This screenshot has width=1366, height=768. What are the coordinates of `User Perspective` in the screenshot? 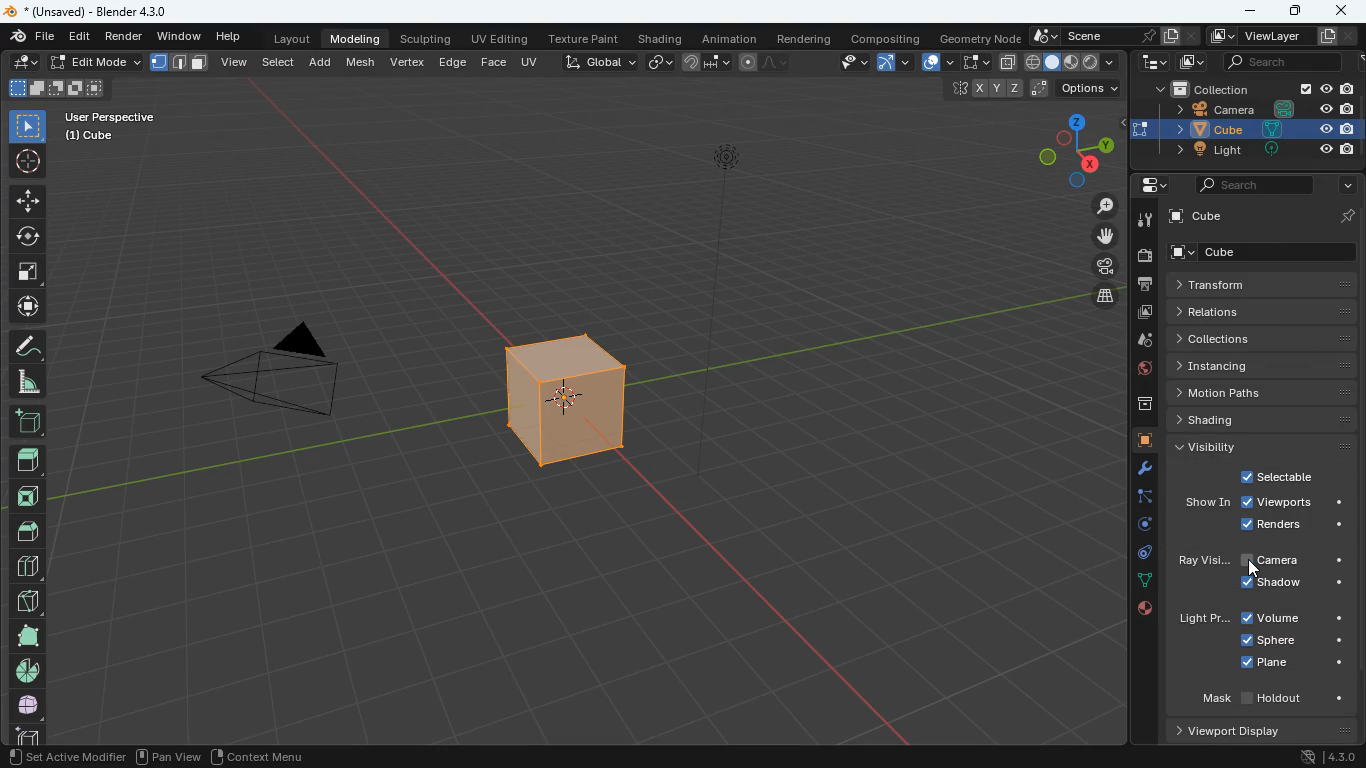 It's located at (109, 116).